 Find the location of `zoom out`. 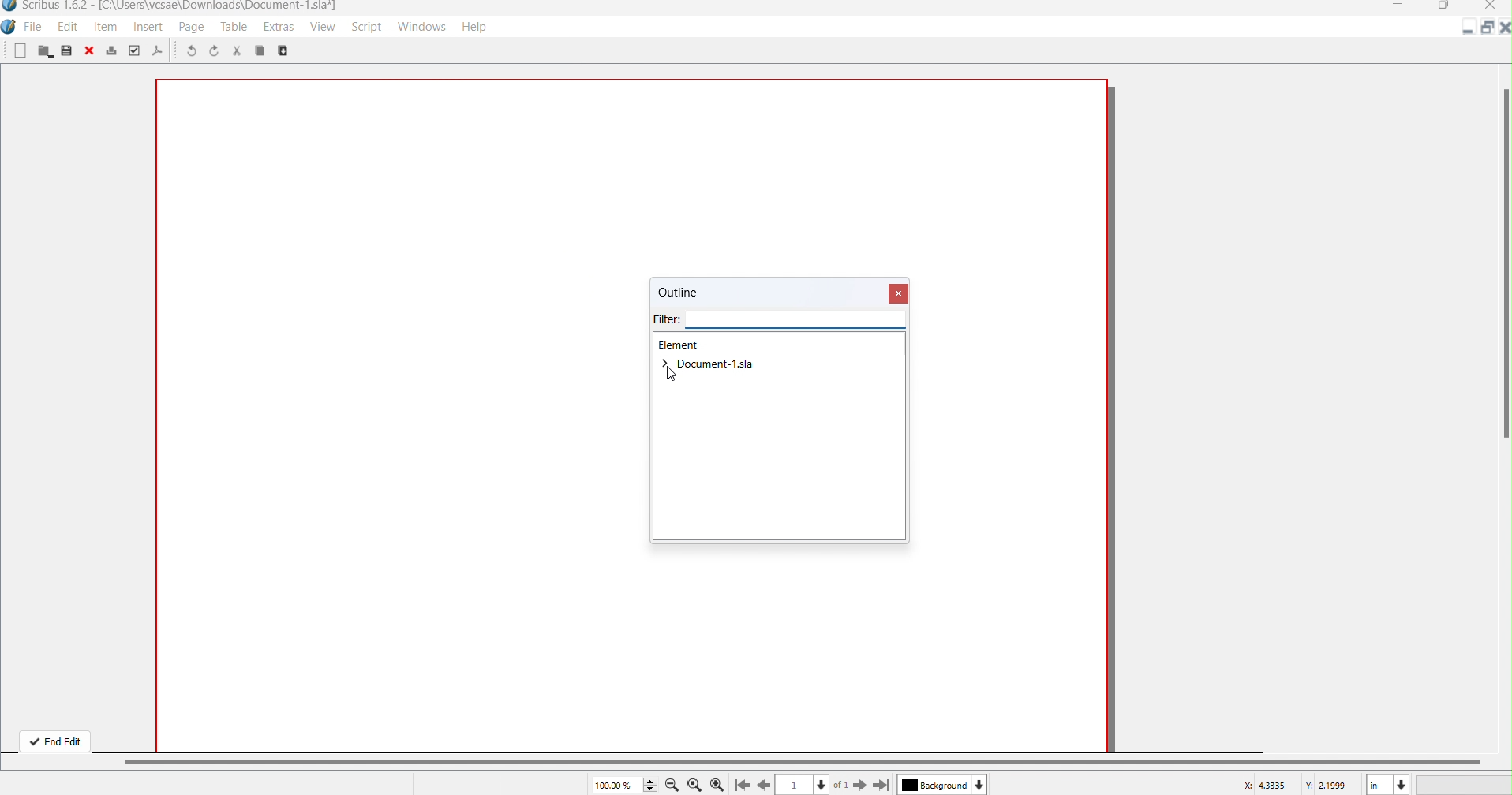

zoom out is located at coordinates (672, 784).